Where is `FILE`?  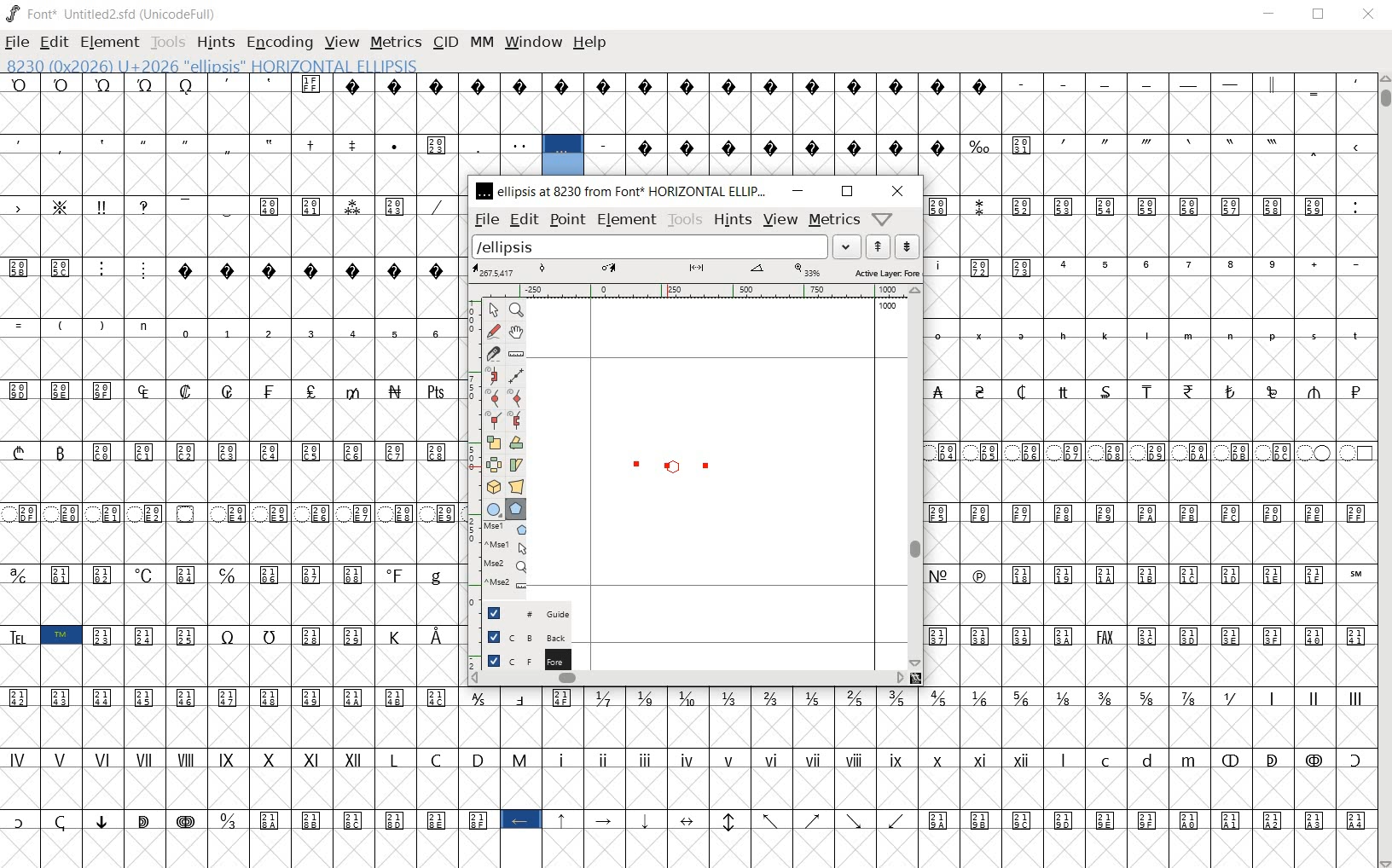
FILE is located at coordinates (17, 42).